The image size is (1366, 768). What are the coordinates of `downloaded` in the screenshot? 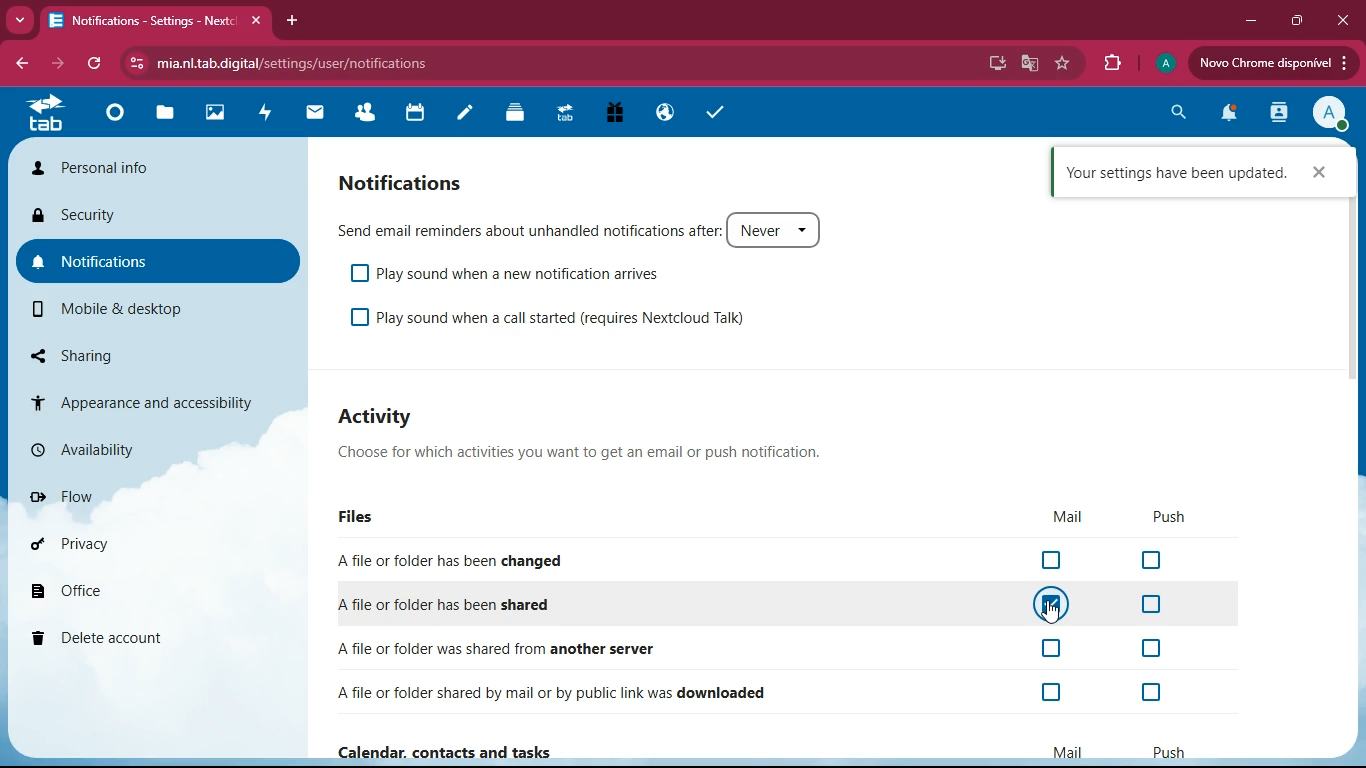 It's located at (567, 692).